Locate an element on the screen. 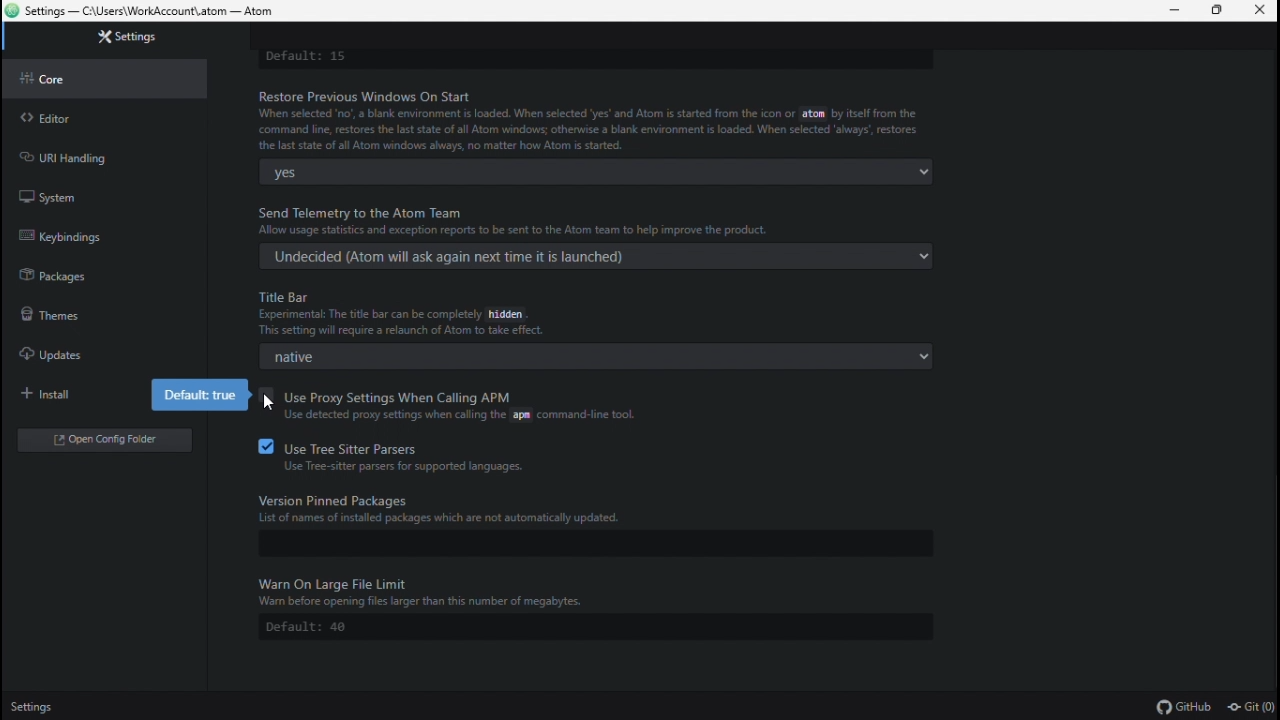 This screenshot has width=1280, height=720. use proxy settings is located at coordinates (471, 406).